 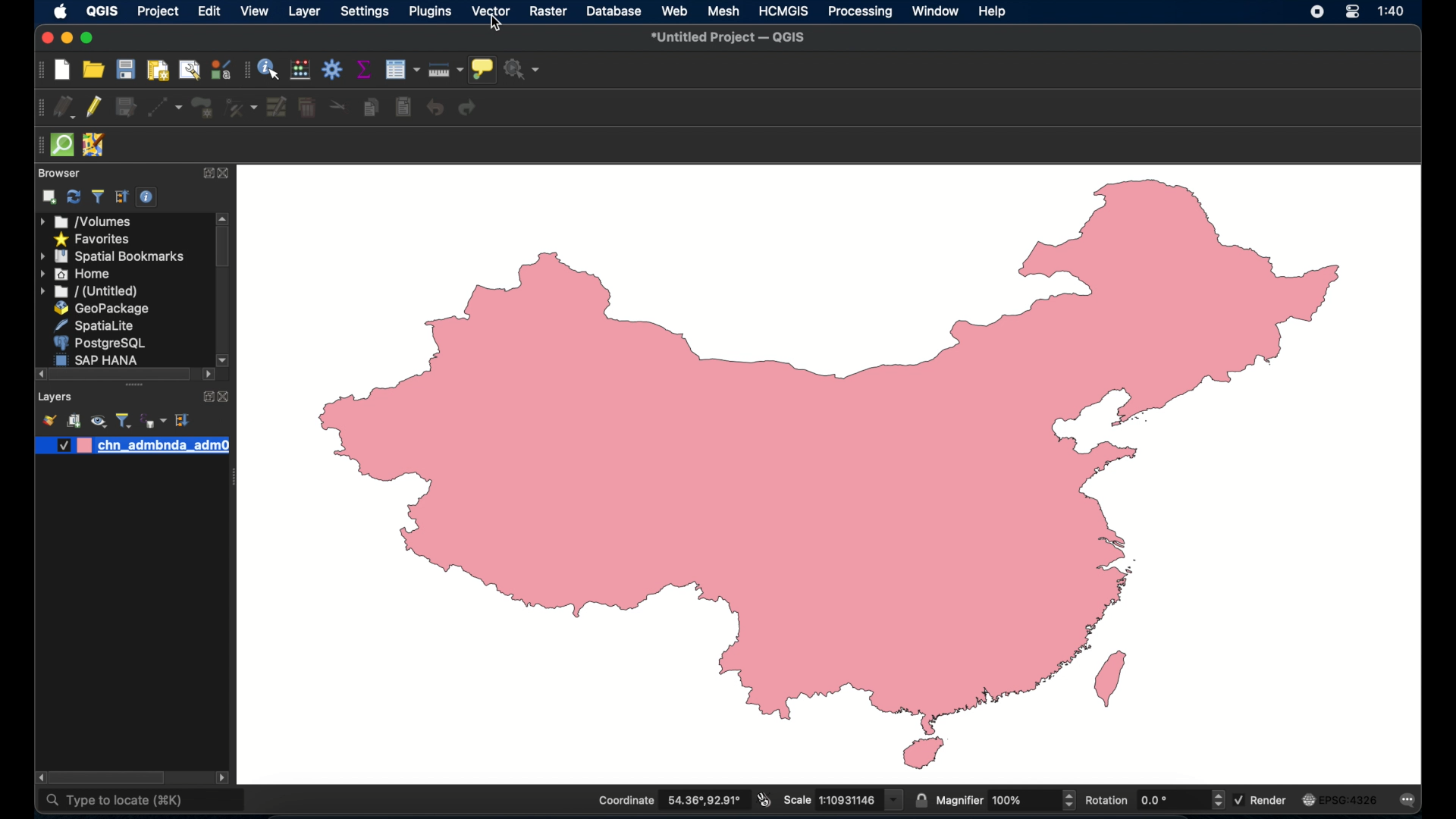 What do you see at coordinates (98, 359) in the screenshot?
I see `sap hana` at bounding box center [98, 359].